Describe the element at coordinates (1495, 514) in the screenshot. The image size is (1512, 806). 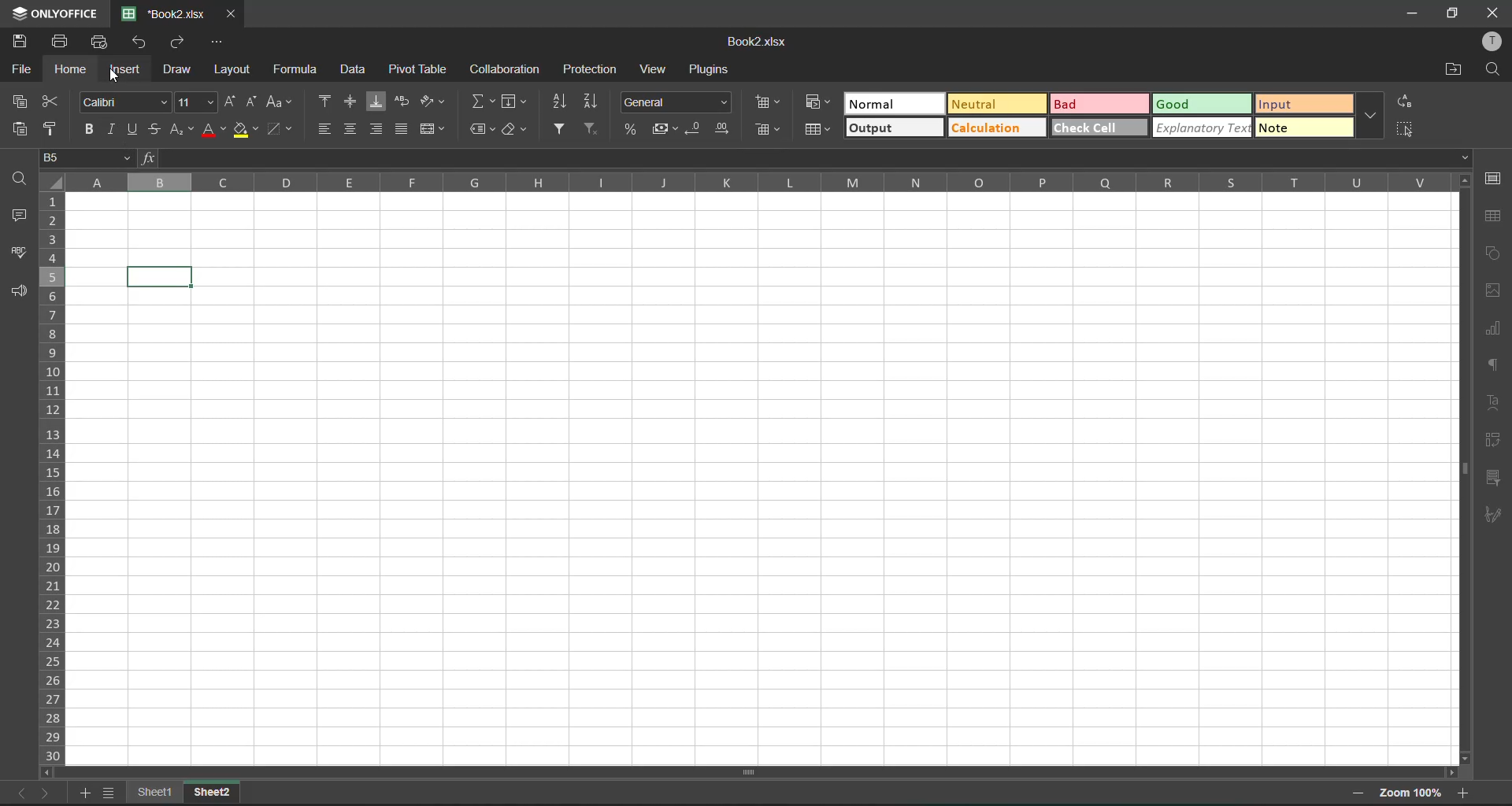
I see `signature` at that location.